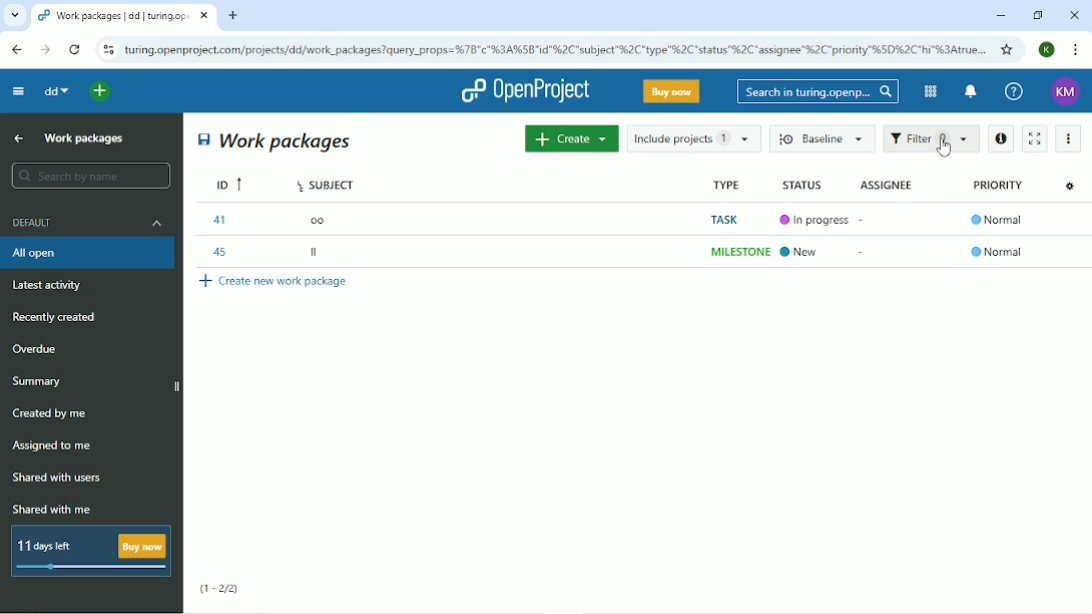 The image size is (1092, 614). What do you see at coordinates (37, 350) in the screenshot?
I see `Overdue` at bounding box center [37, 350].